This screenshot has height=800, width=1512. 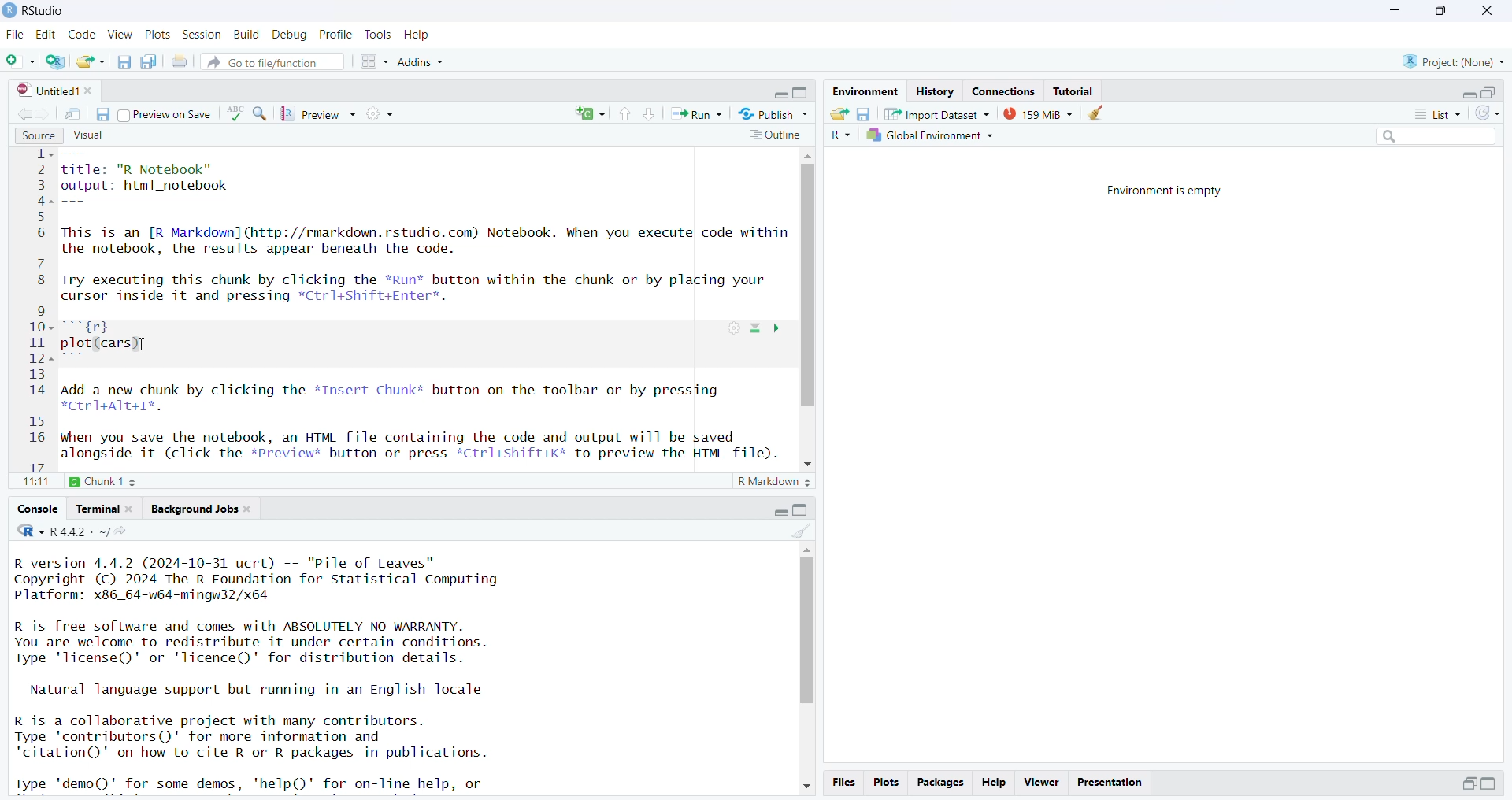 What do you see at coordinates (91, 61) in the screenshot?
I see `open an existing file` at bounding box center [91, 61].